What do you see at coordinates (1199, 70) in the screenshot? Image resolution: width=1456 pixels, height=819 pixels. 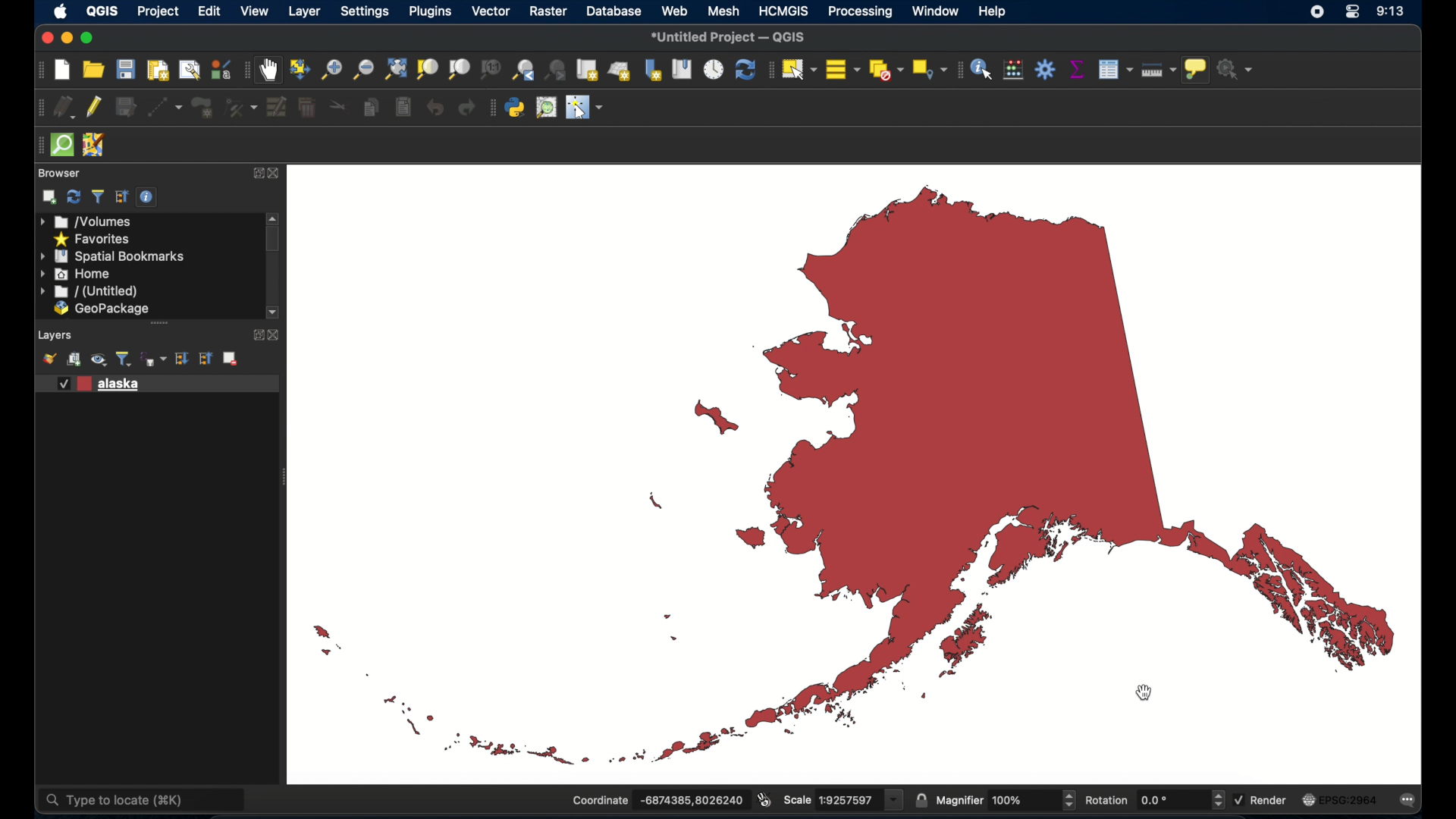 I see `show map tops` at bounding box center [1199, 70].